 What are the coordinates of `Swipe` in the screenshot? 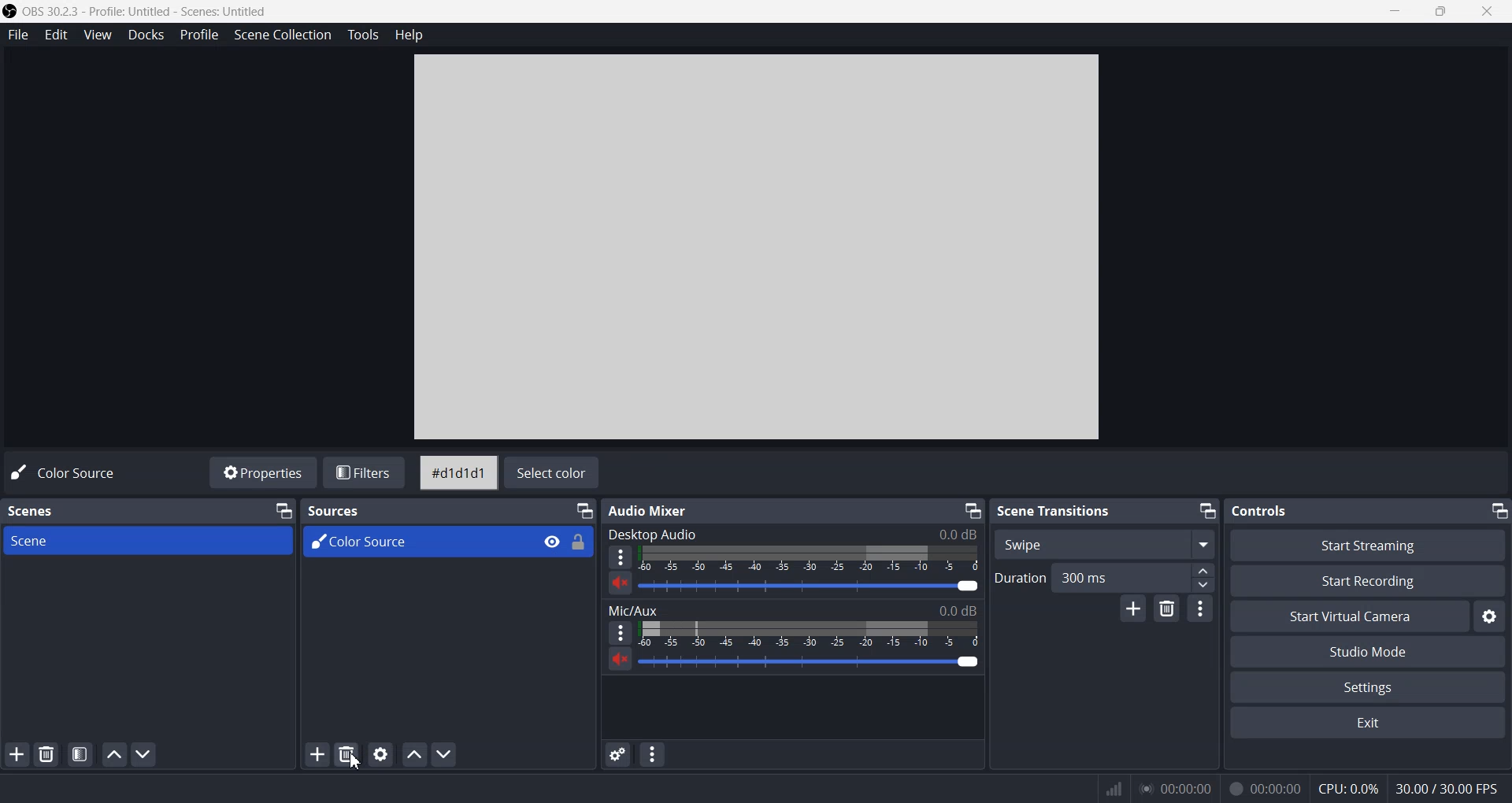 It's located at (1103, 543).